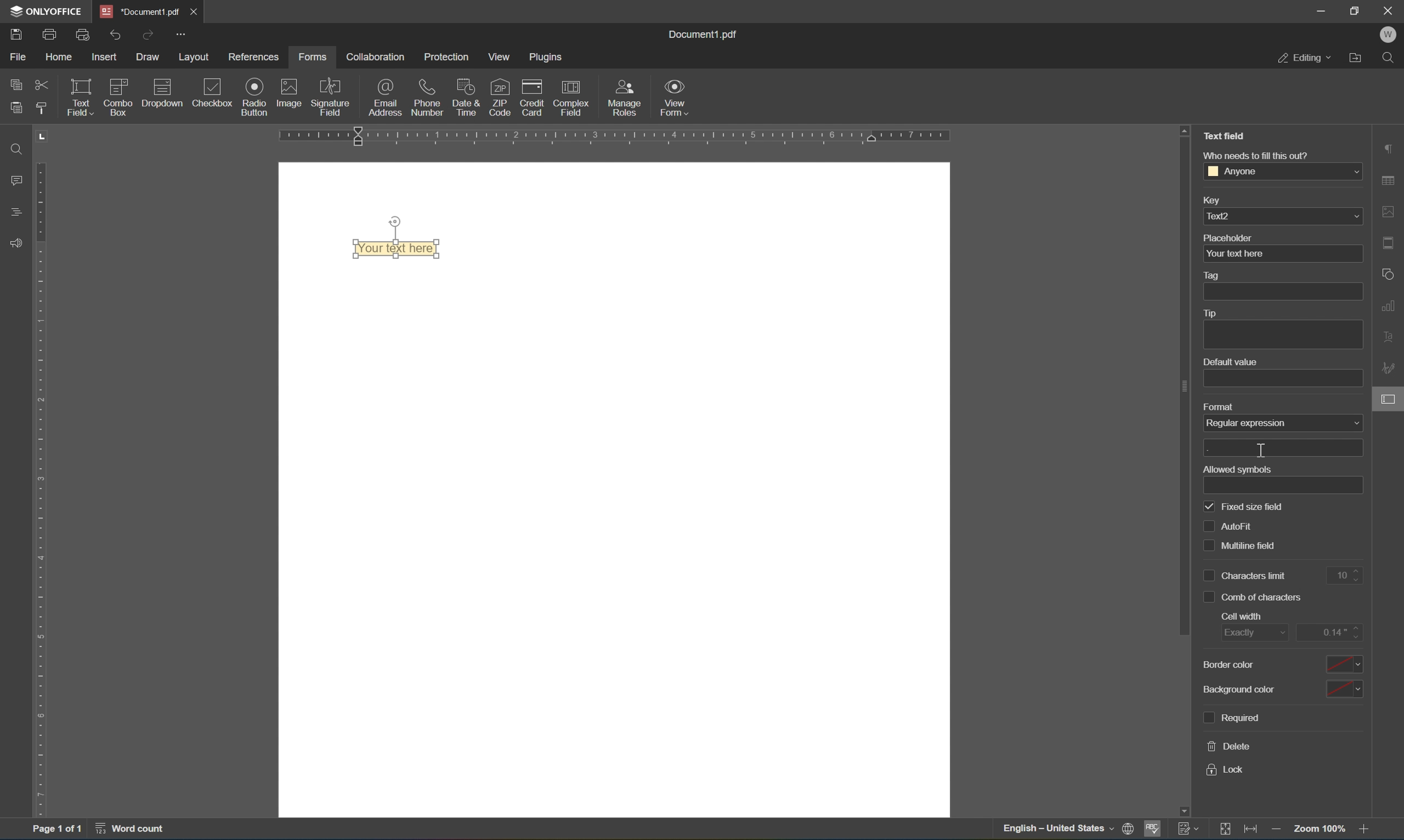 The height and width of the screenshot is (840, 1404). What do you see at coordinates (1333, 632) in the screenshot?
I see `0.14` at bounding box center [1333, 632].